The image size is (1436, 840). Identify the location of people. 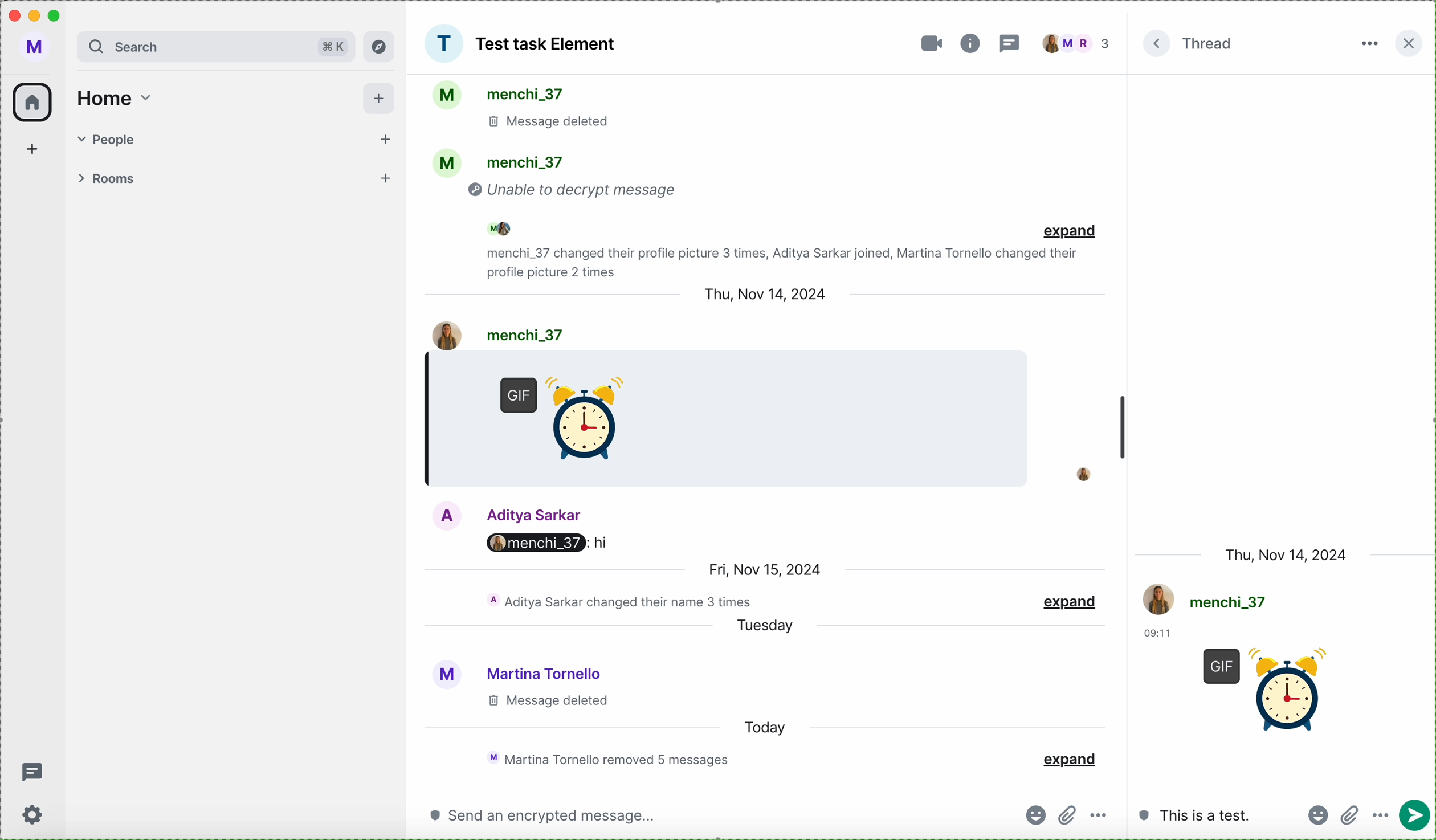
(239, 137).